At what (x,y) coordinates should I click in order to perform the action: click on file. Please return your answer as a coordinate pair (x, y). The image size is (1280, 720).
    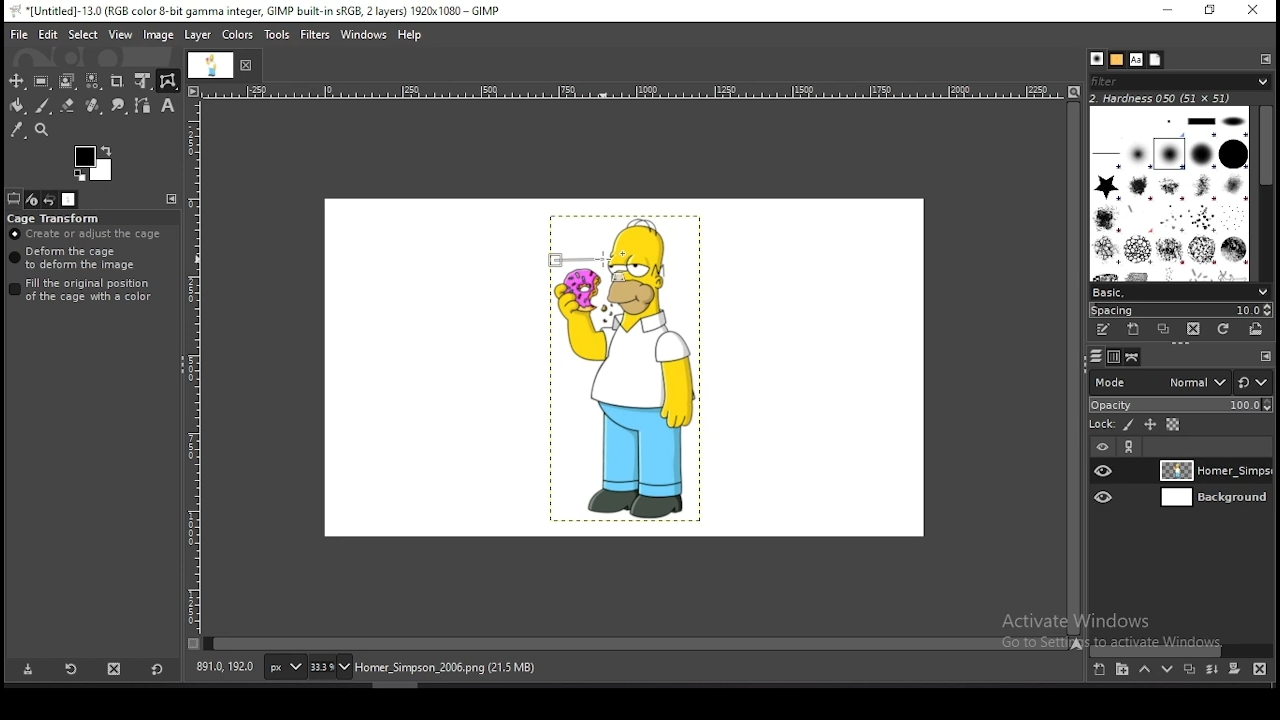
    Looking at the image, I should click on (19, 33).